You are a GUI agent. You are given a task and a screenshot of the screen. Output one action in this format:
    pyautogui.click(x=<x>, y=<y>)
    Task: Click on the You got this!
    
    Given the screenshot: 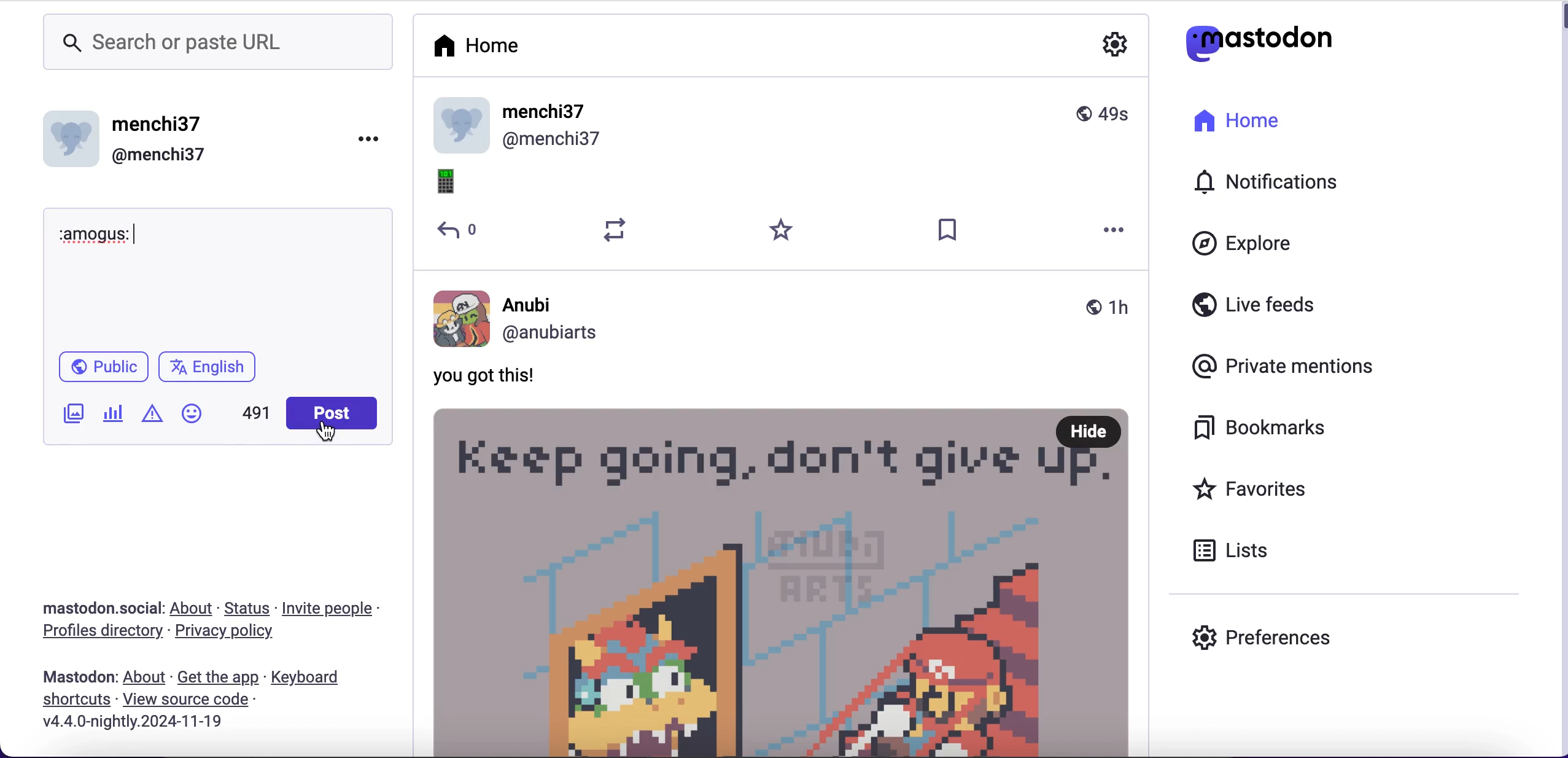 What is the action you would take?
    pyautogui.click(x=491, y=378)
    